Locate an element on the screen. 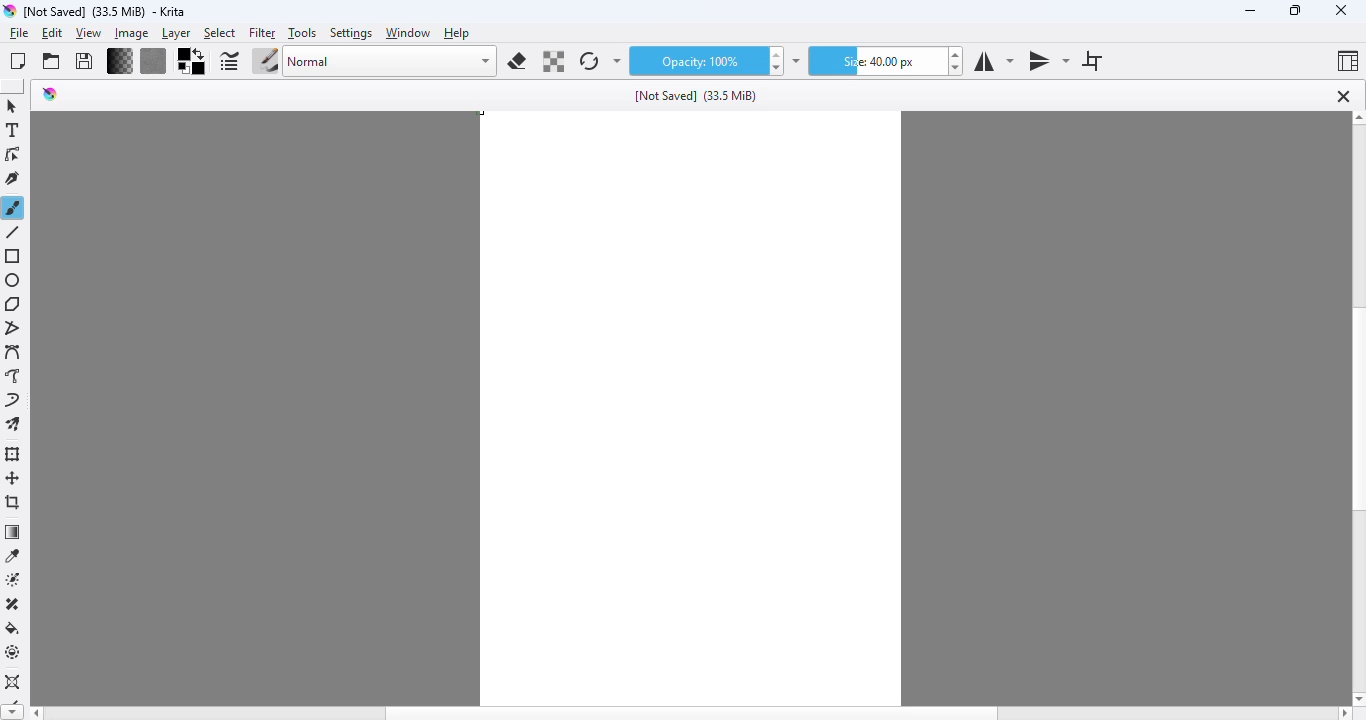  Canvas is located at coordinates (689, 406).